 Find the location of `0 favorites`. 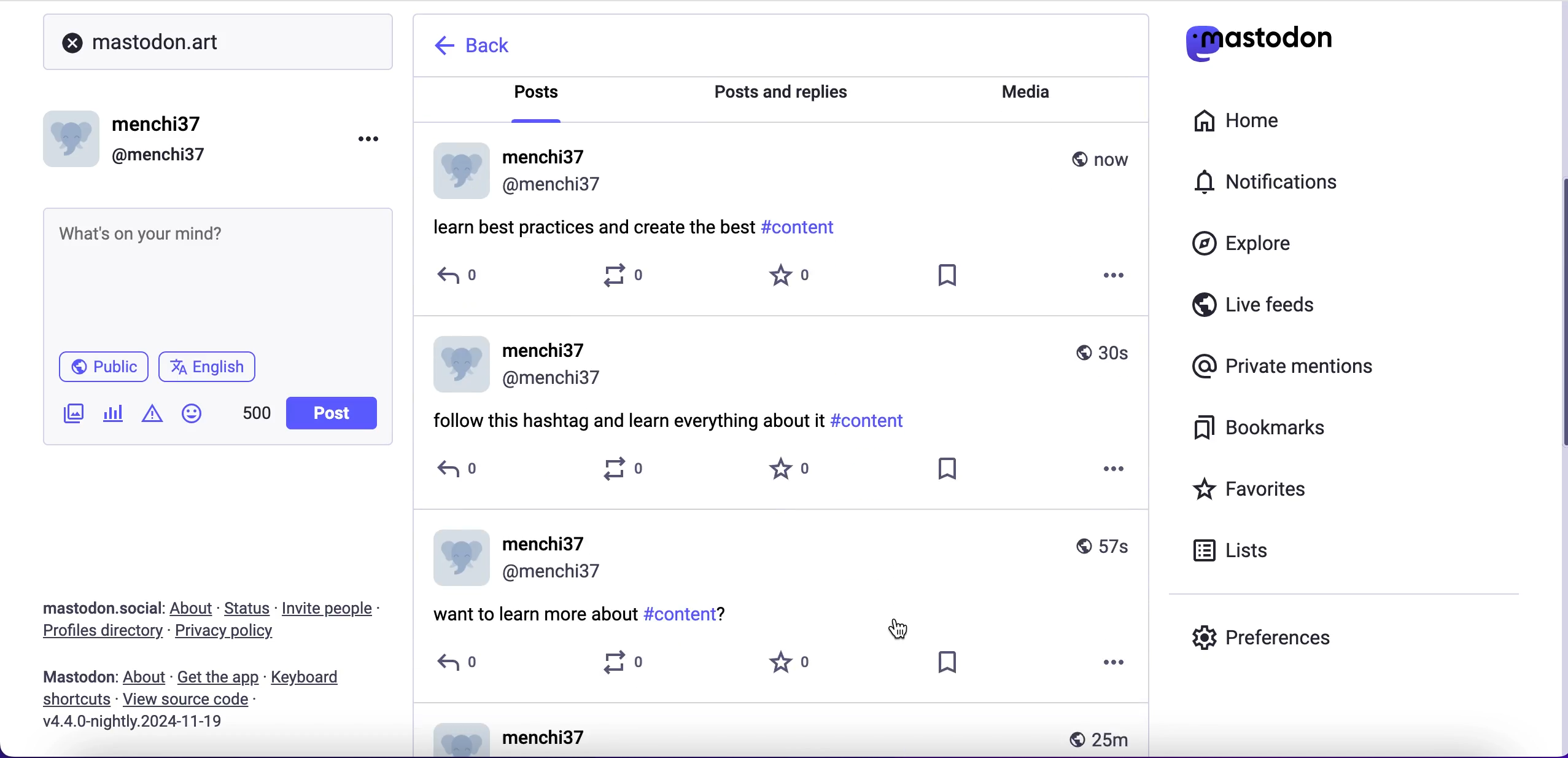

0 favorites is located at coordinates (797, 475).